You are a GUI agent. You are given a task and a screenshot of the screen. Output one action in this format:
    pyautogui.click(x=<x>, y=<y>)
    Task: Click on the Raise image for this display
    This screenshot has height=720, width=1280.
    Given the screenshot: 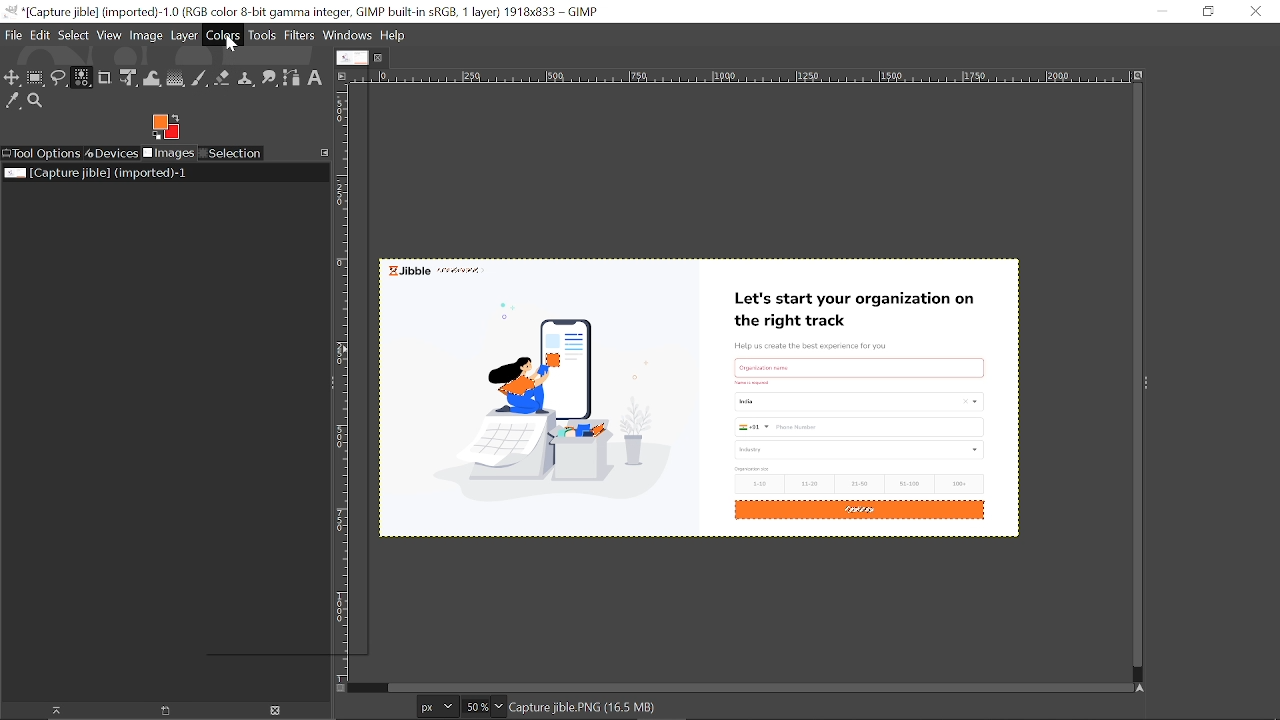 What is the action you would take?
    pyautogui.click(x=50, y=711)
    